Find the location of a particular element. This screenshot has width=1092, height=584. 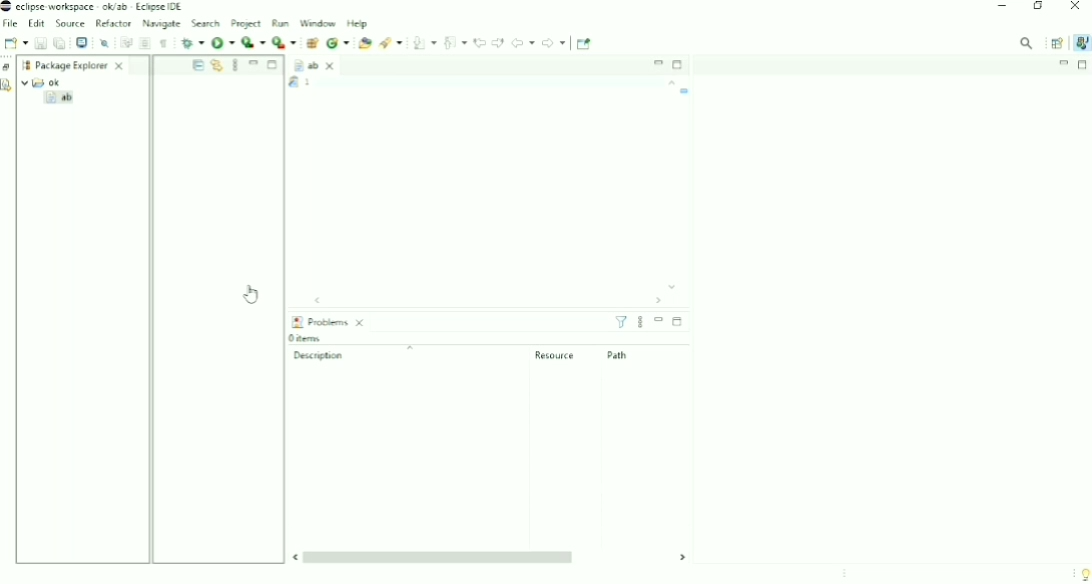

Run is located at coordinates (223, 42).